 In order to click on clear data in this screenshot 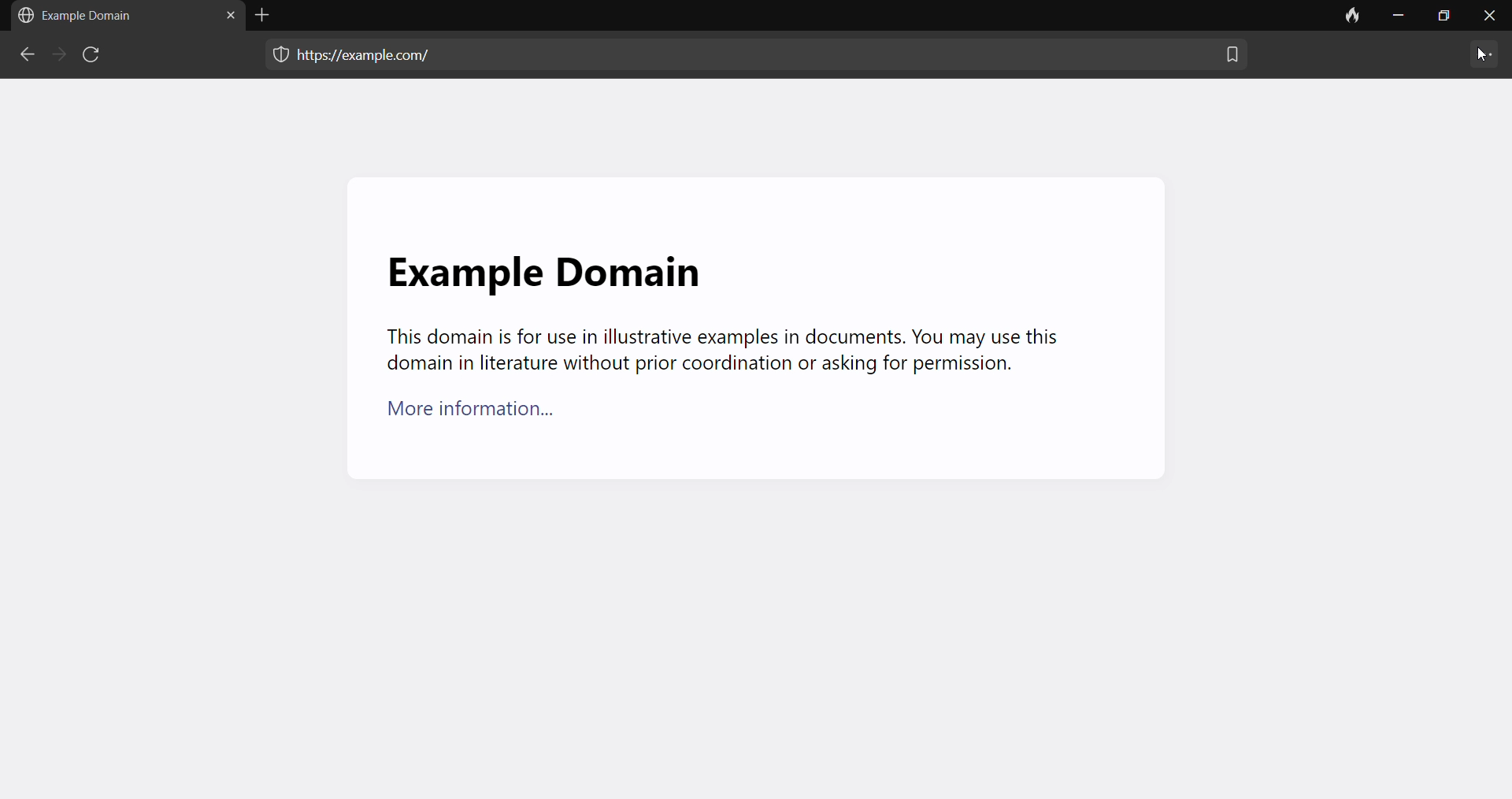, I will do `click(1351, 18)`.